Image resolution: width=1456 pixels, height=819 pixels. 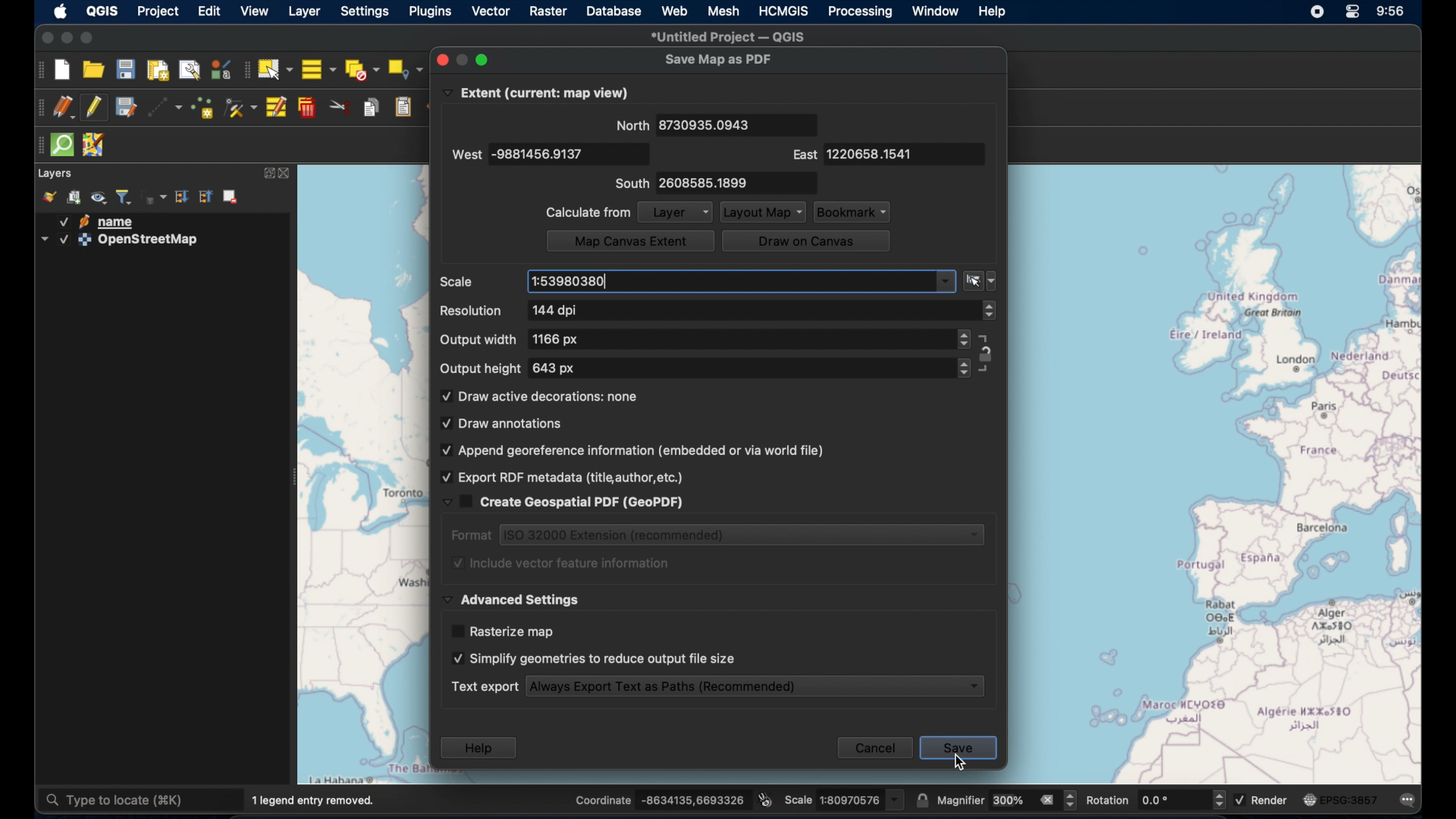 I want to click on project toolbar, so click(x=38, y=70).